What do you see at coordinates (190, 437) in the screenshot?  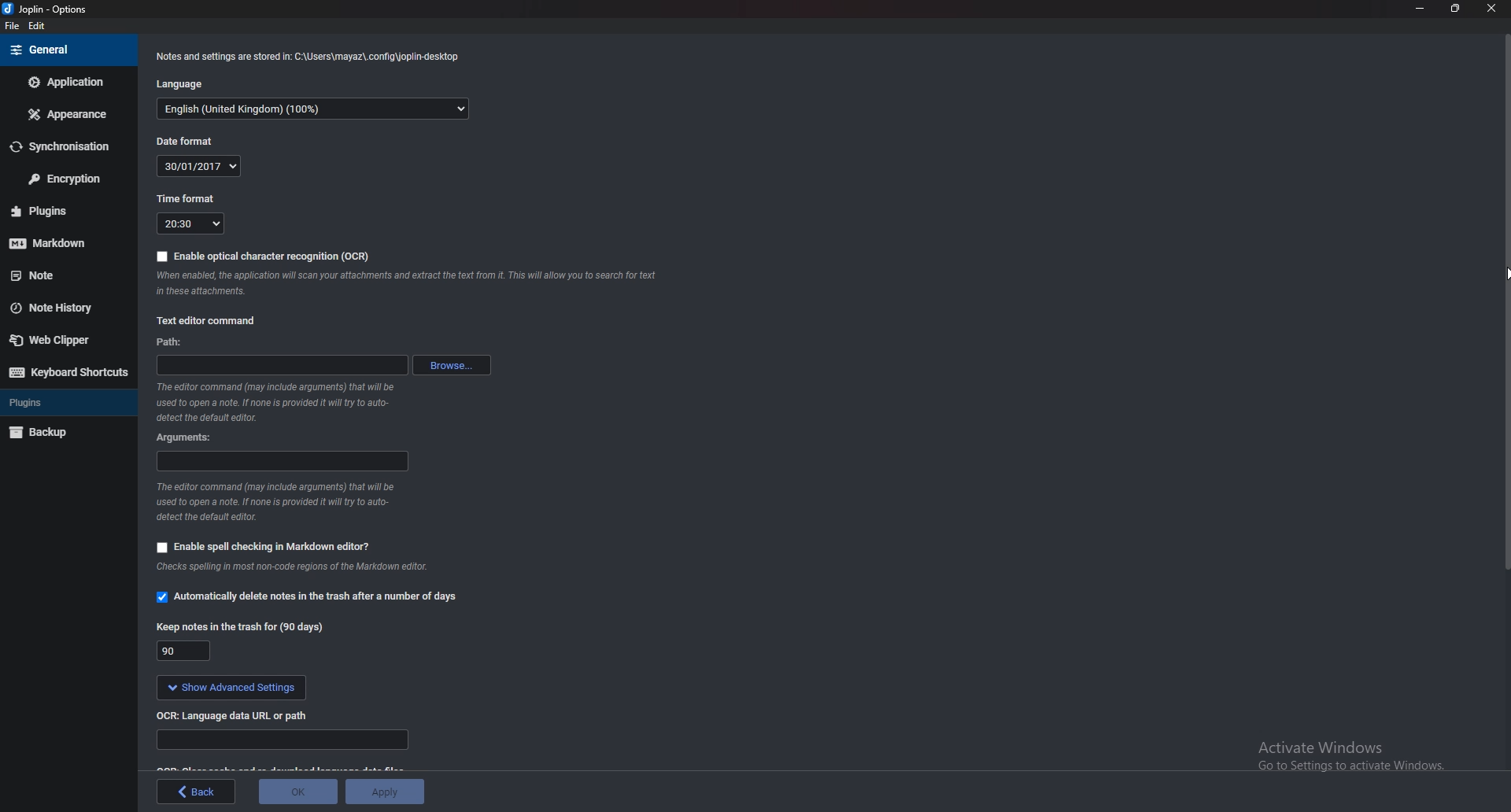 I see `Arguments` at bounding box center [190, 437].